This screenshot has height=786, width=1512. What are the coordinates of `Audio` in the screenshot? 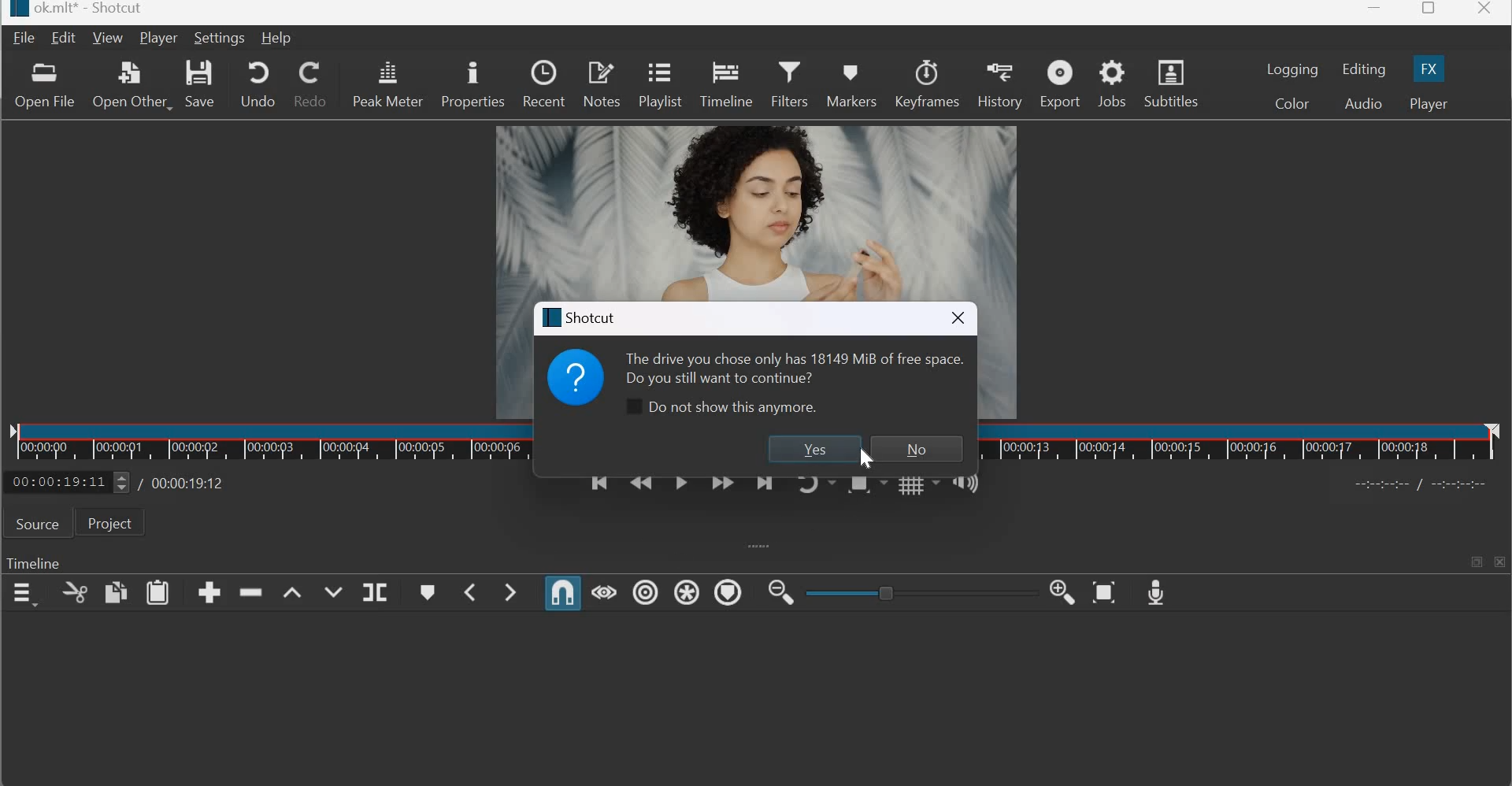 It's located at (1362, 102).